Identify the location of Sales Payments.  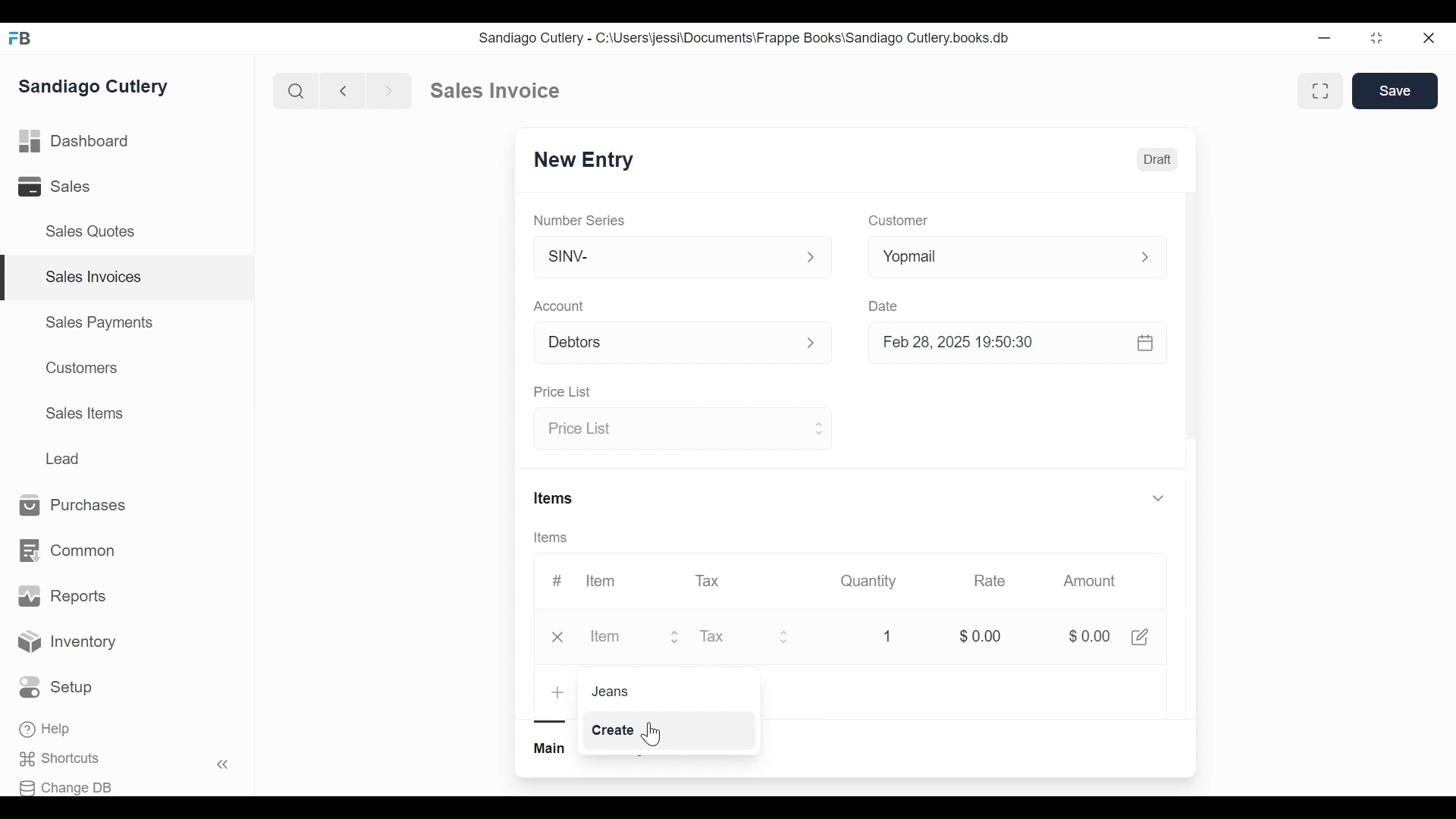
(98, 322).